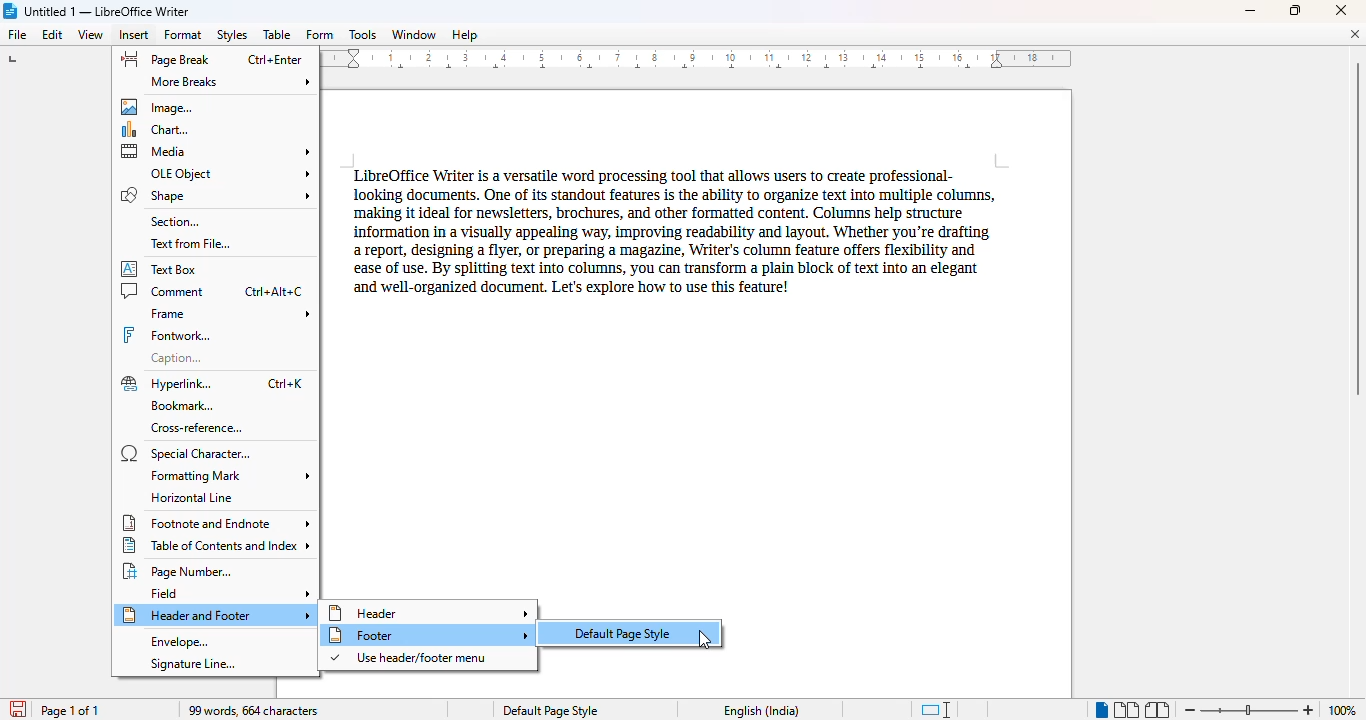 This screenshot has height=720, width=1366. I want to click on help, so click(464, 35).